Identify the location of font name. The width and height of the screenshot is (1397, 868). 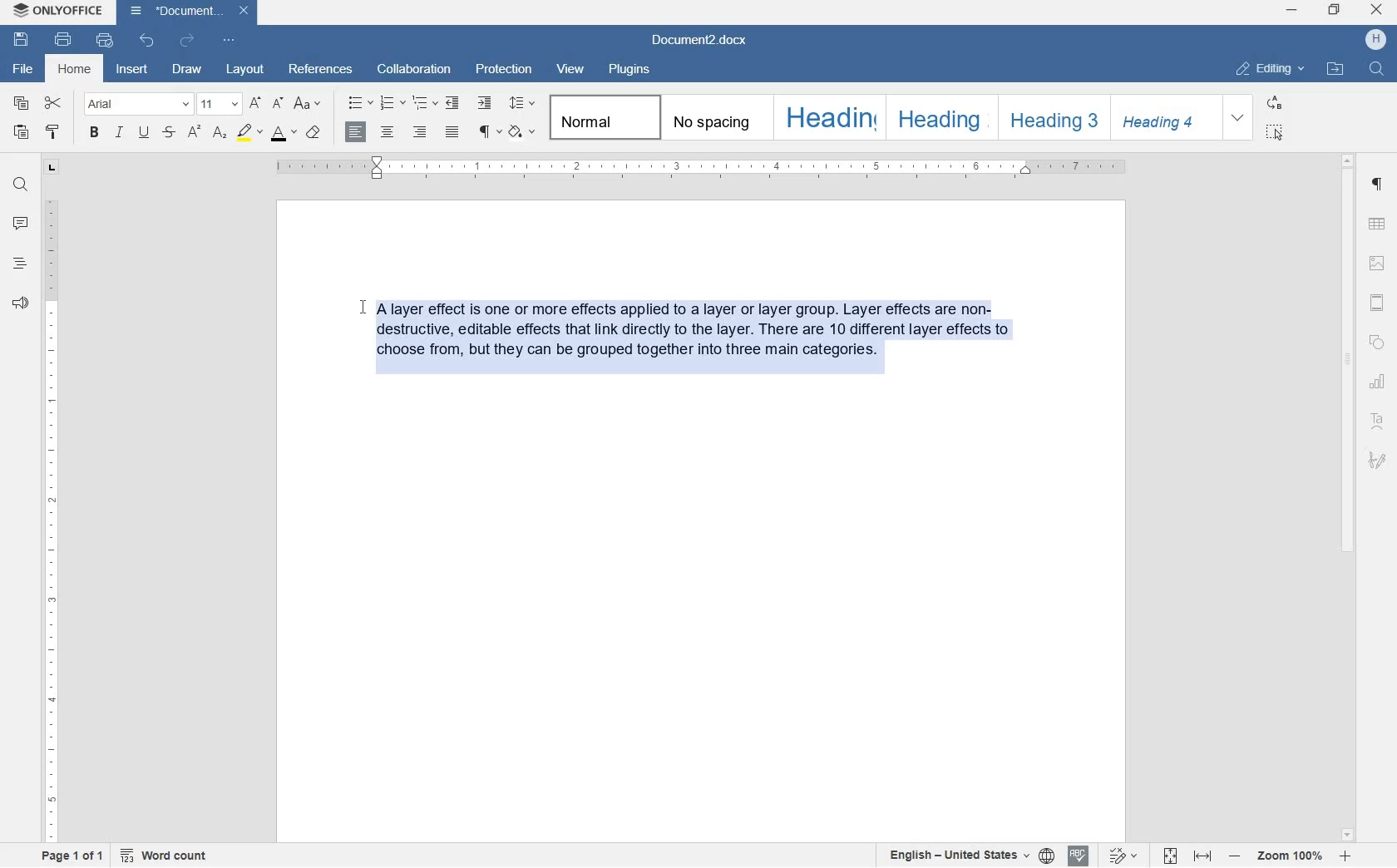
(136, 105).